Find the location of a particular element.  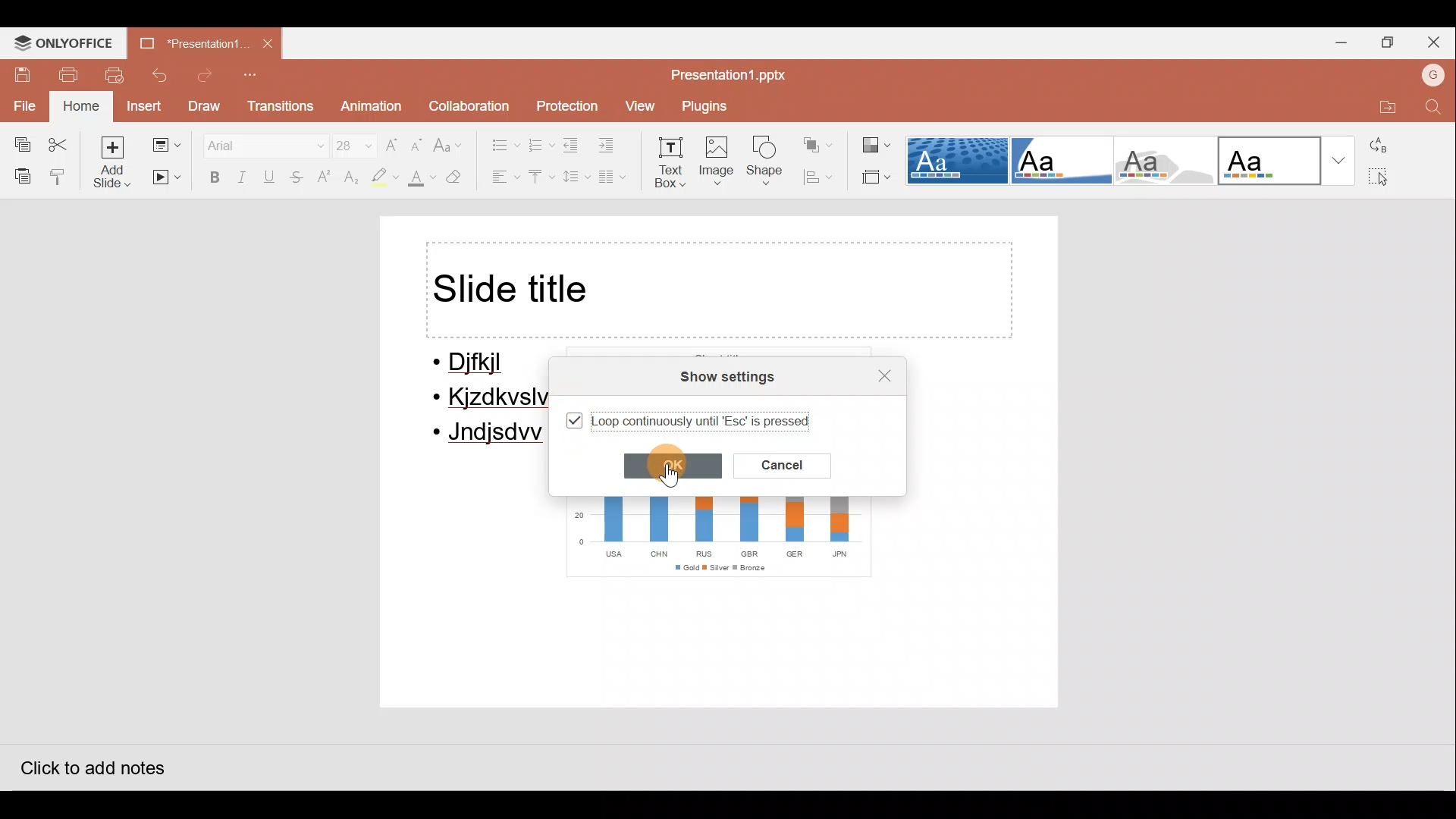

Shape is located at coordinates (765, 163).